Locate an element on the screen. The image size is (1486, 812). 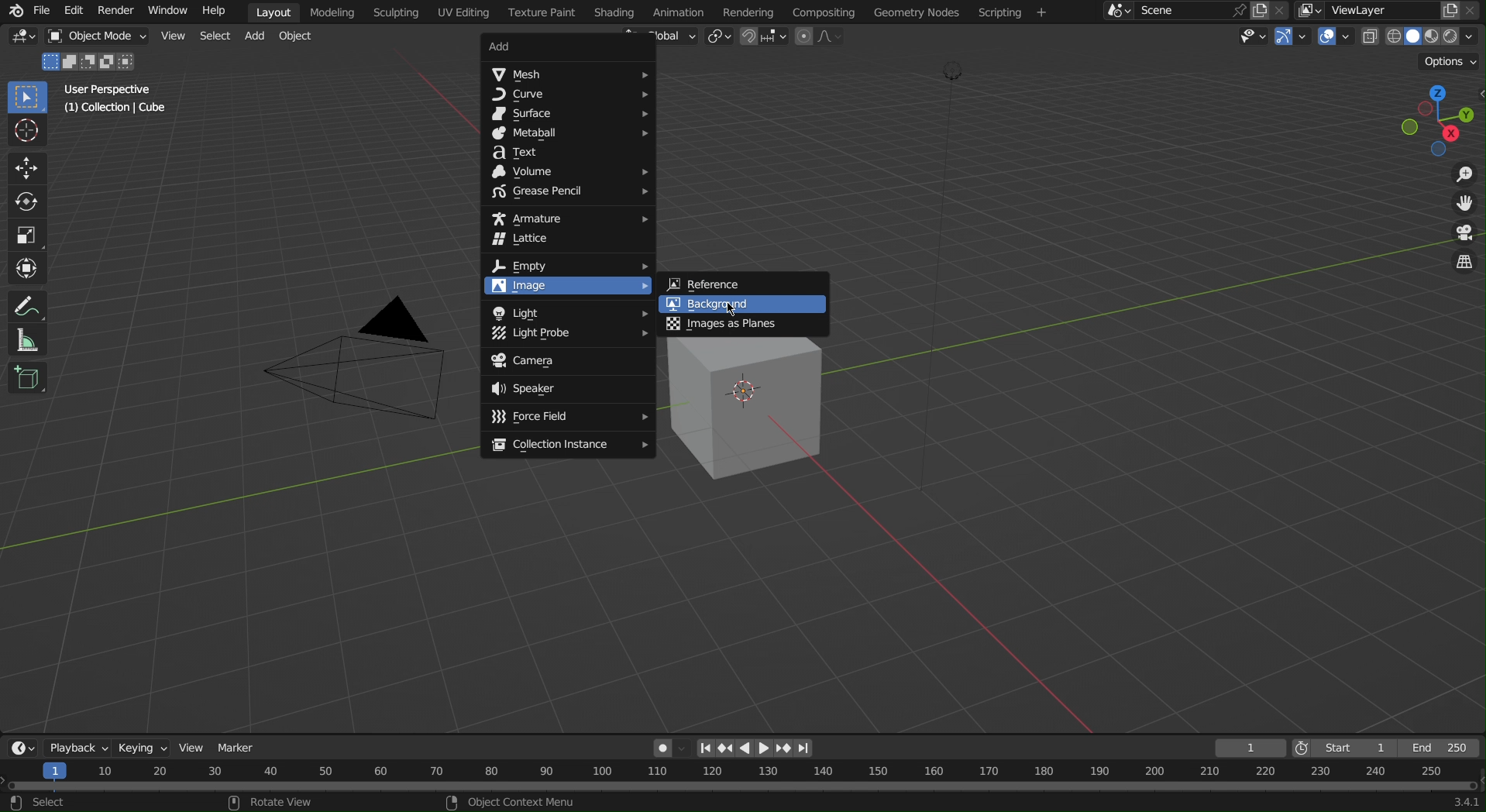
Add is located at coordinates (259, 38).